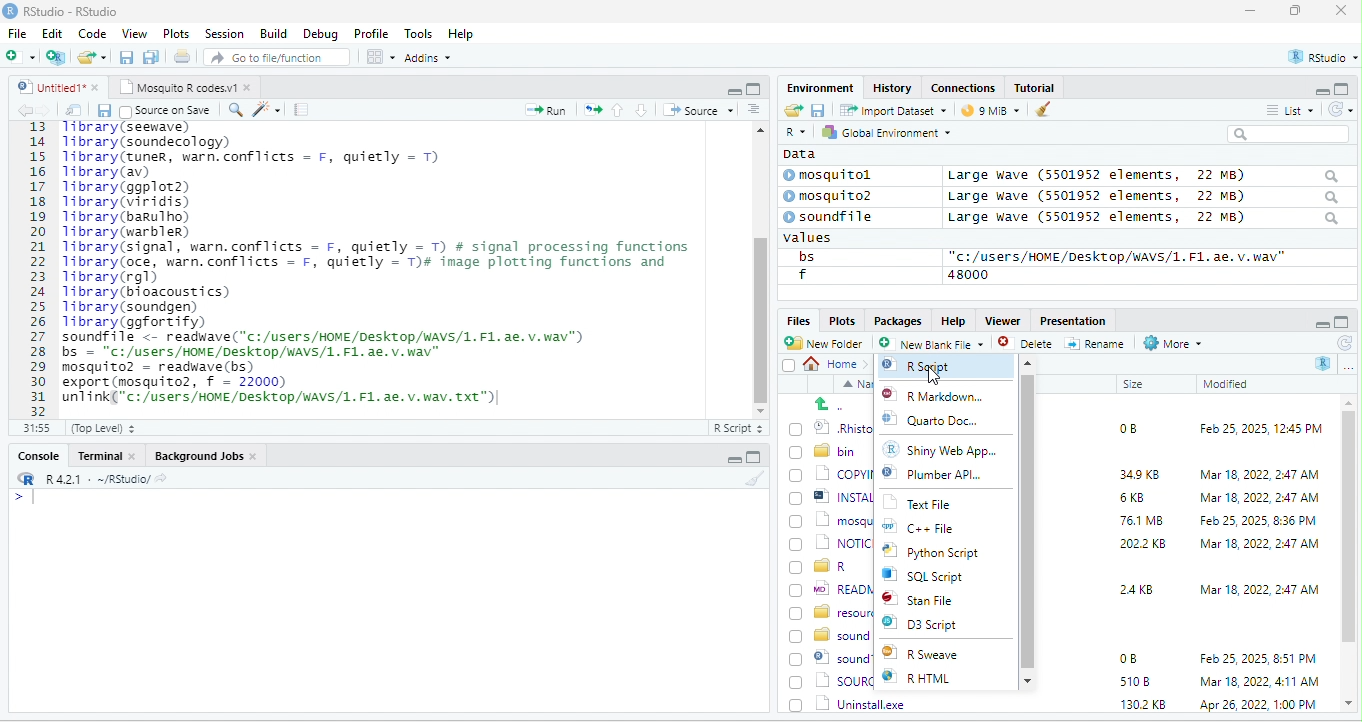  What do you see at coordinates (1286, 110) in the screenshot?
I see `= List ~` at bounding box center [1286, 110].